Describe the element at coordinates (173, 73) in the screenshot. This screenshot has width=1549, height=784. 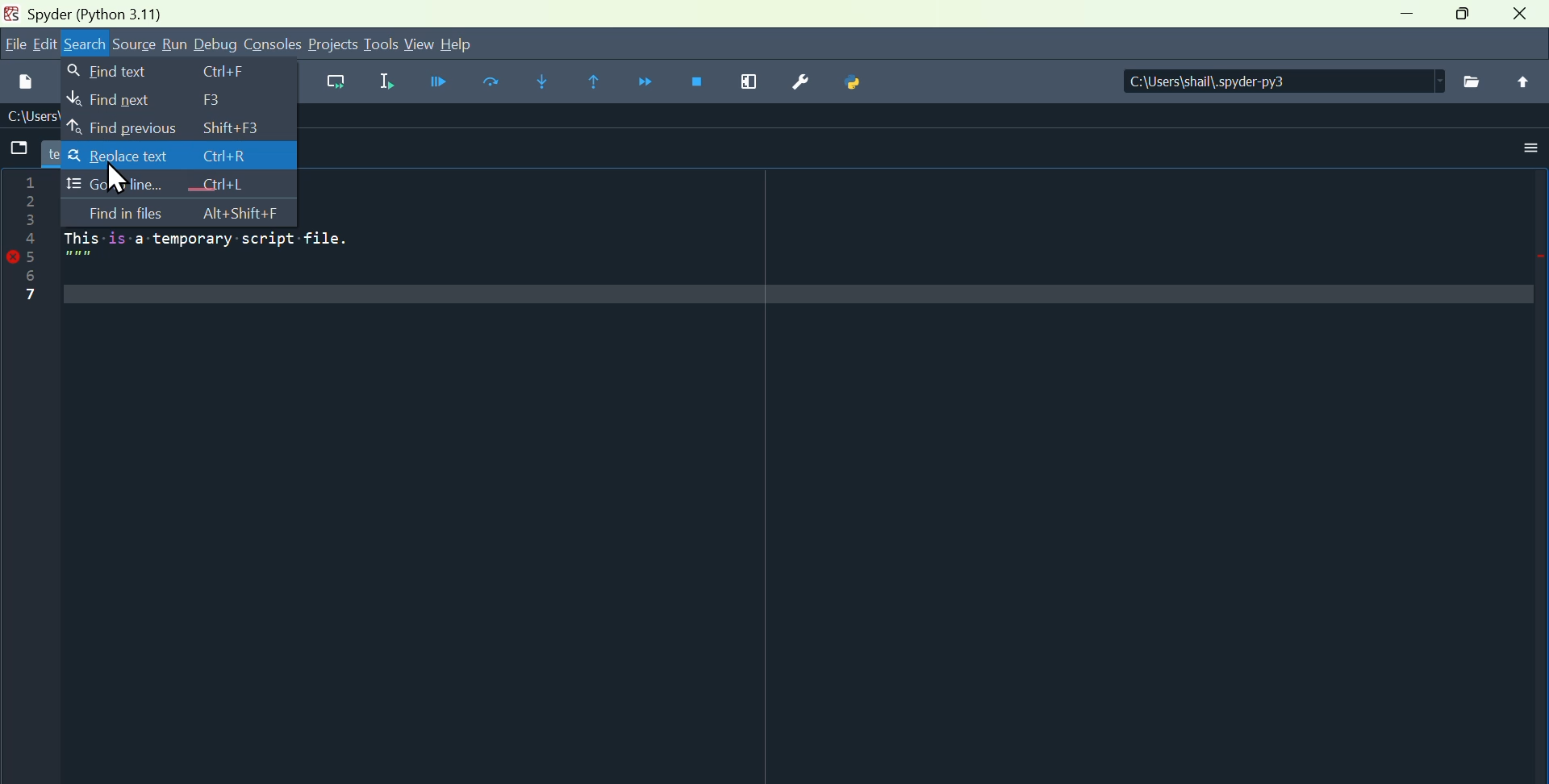
I see `Find text` at that location.